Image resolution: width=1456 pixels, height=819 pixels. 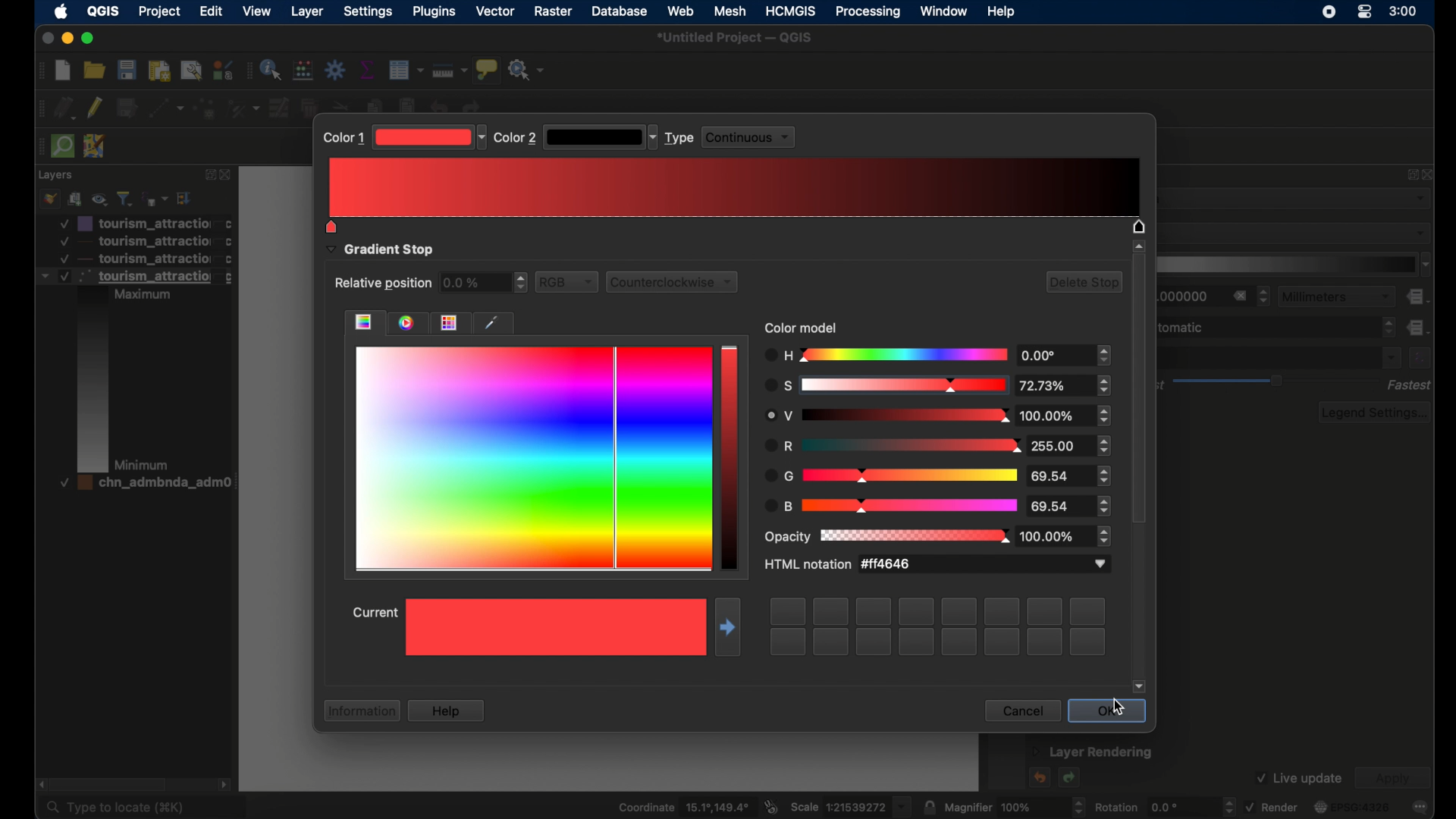 What do you see at coordinates (485, 283) in the screenshot?
I see `relative position stepper buttons` at bounding box center [485, 283].